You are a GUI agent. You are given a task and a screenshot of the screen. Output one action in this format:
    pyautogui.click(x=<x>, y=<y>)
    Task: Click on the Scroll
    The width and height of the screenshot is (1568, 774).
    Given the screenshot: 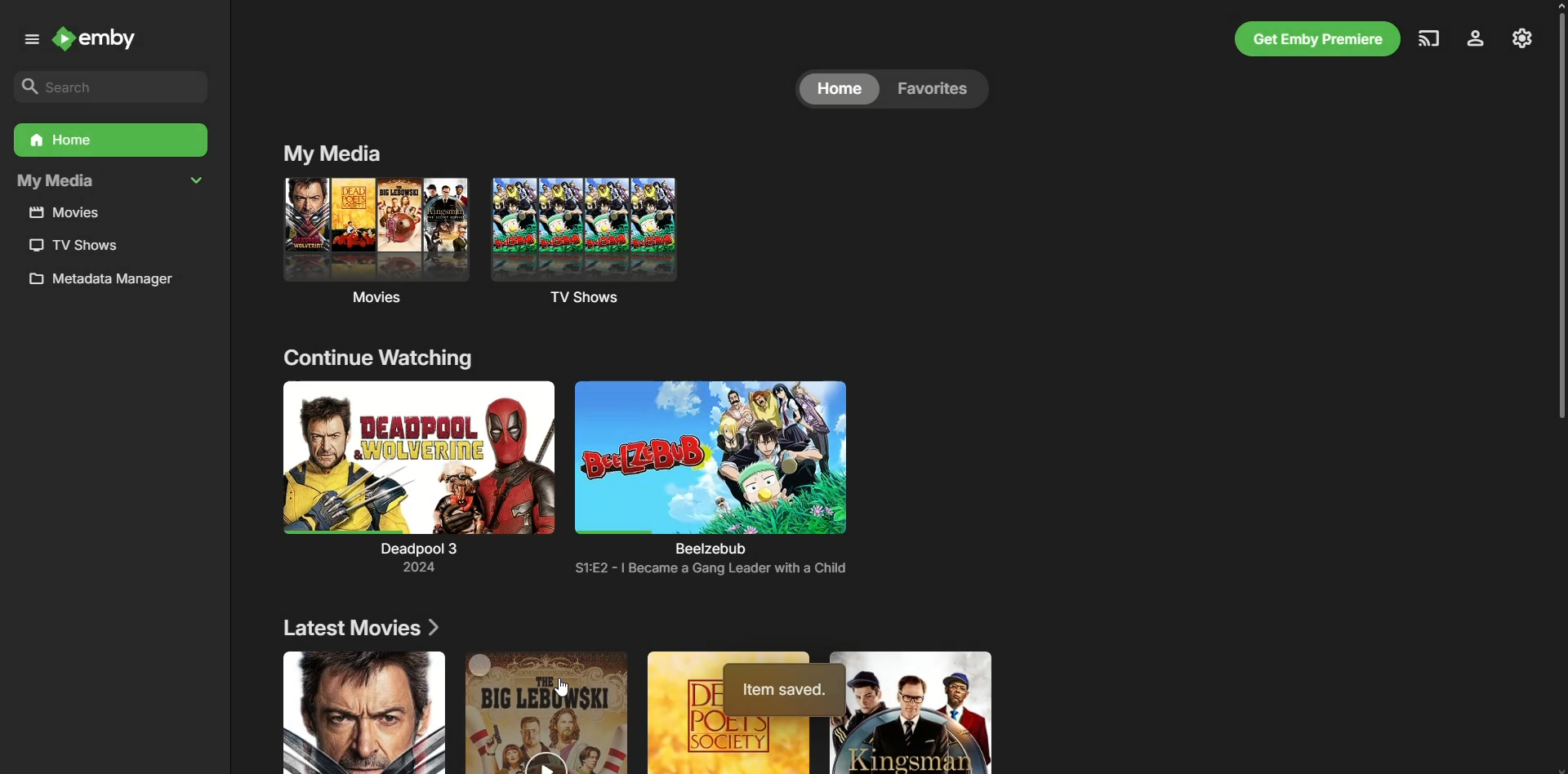 What is the action you would take?
    pyautogui.click(x=1555, y=220)
    